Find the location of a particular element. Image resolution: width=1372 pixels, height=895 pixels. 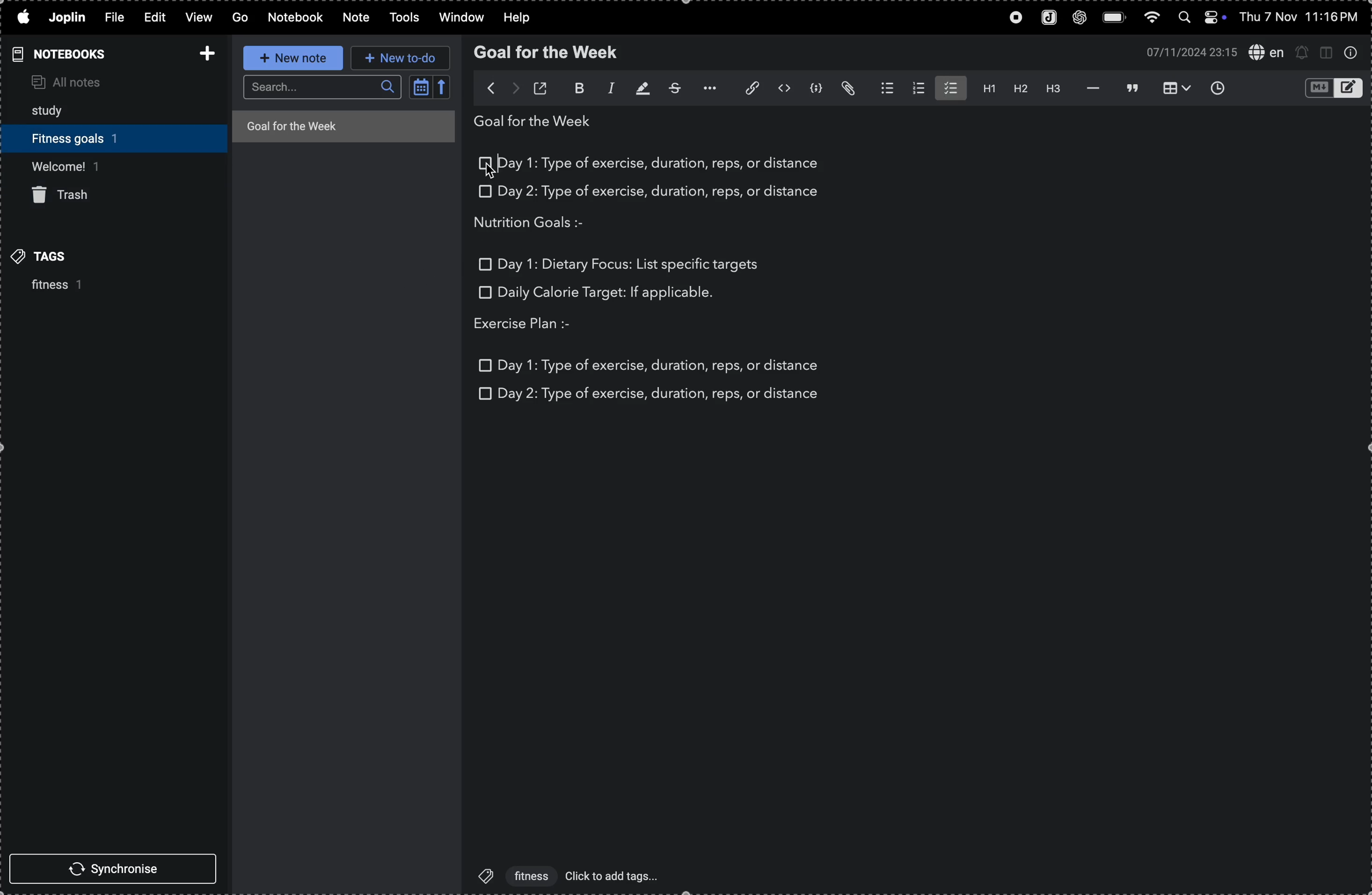

chatgpt is located at coordinates (1078, 18).